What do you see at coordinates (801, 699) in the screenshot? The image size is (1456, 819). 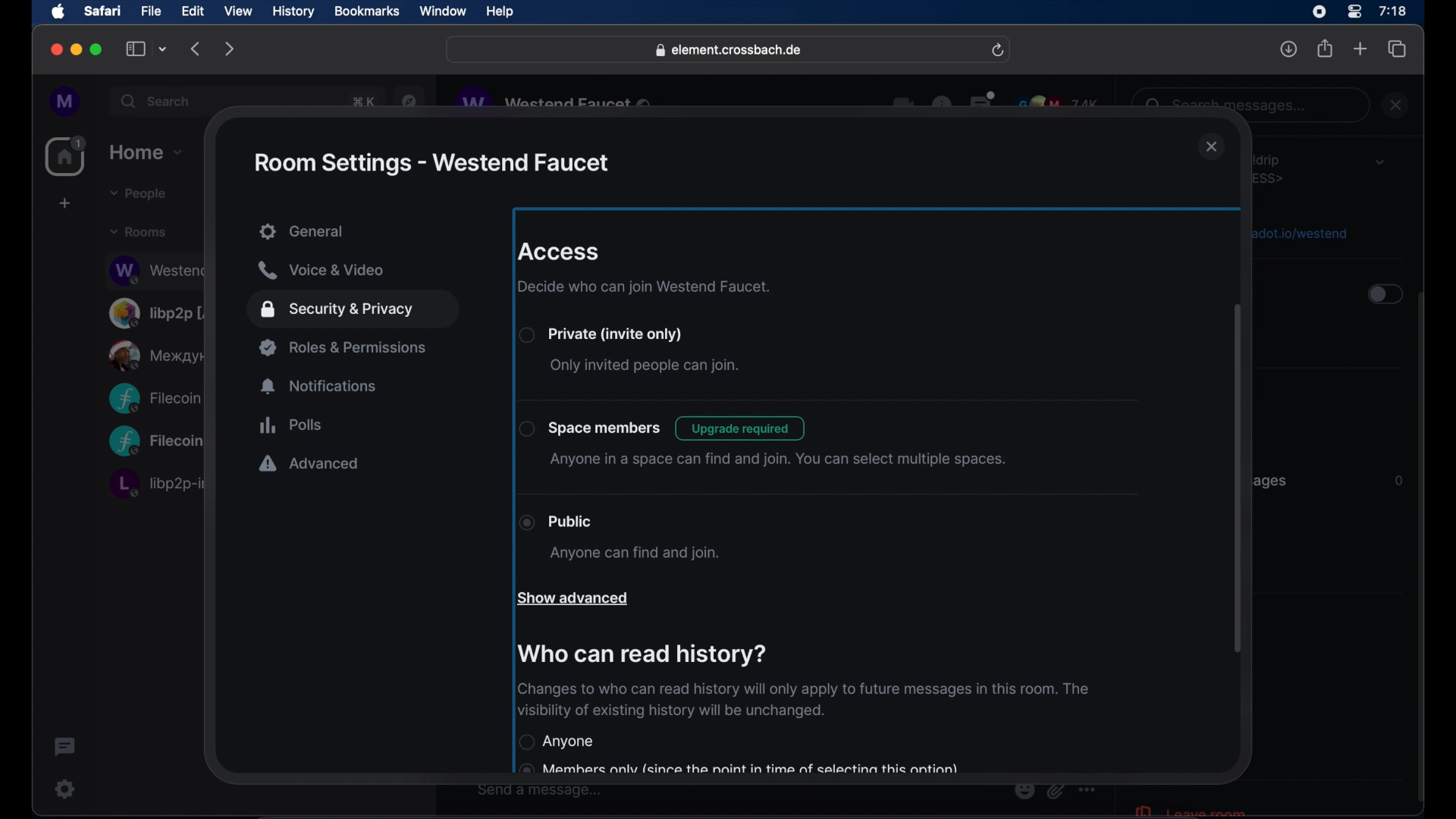 I see `history info` at bounding box center [801, 699].